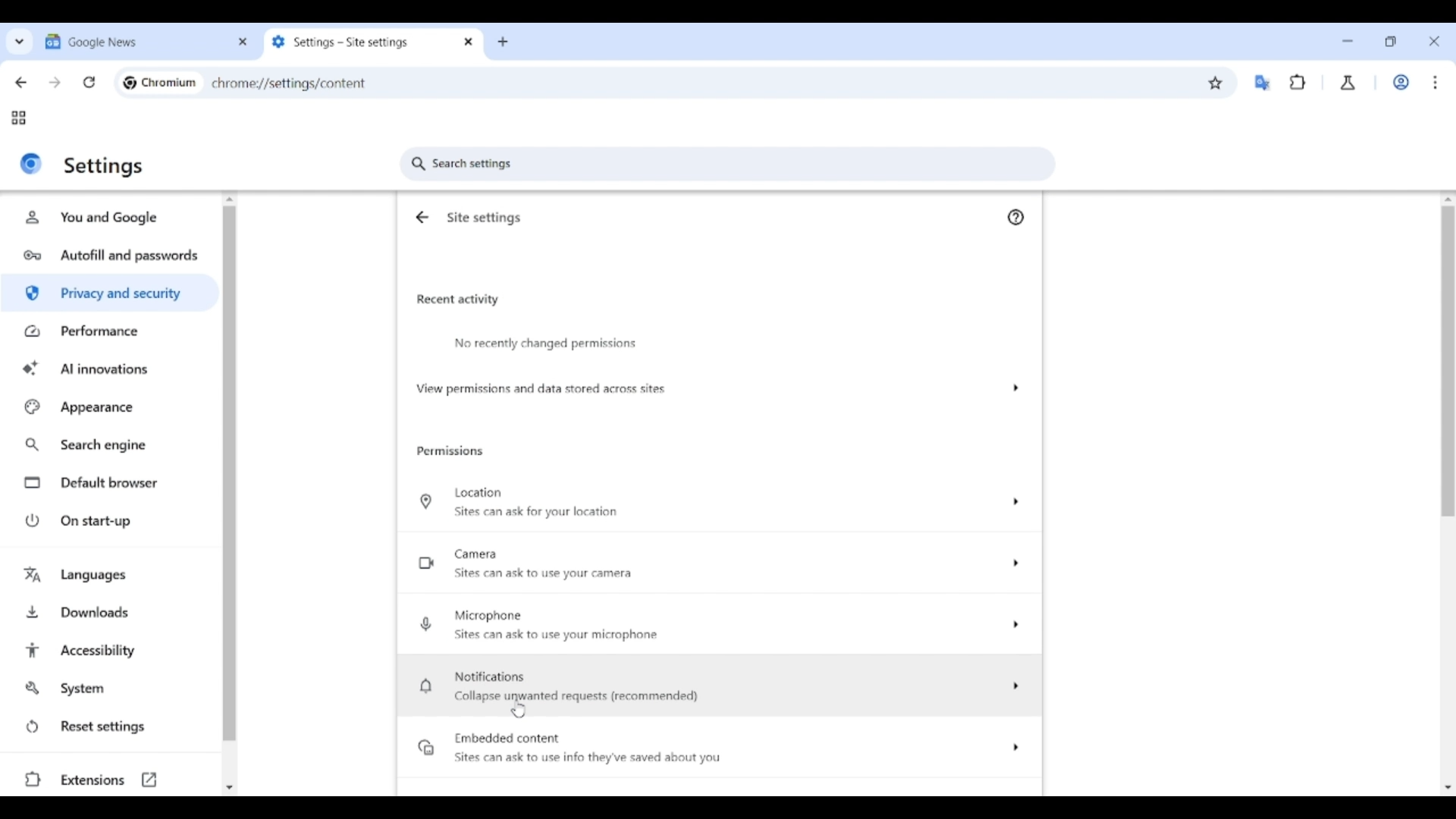  Describe the element at coordinates (243, 42) in the screenshot. I see `Close tab 1` at that location.